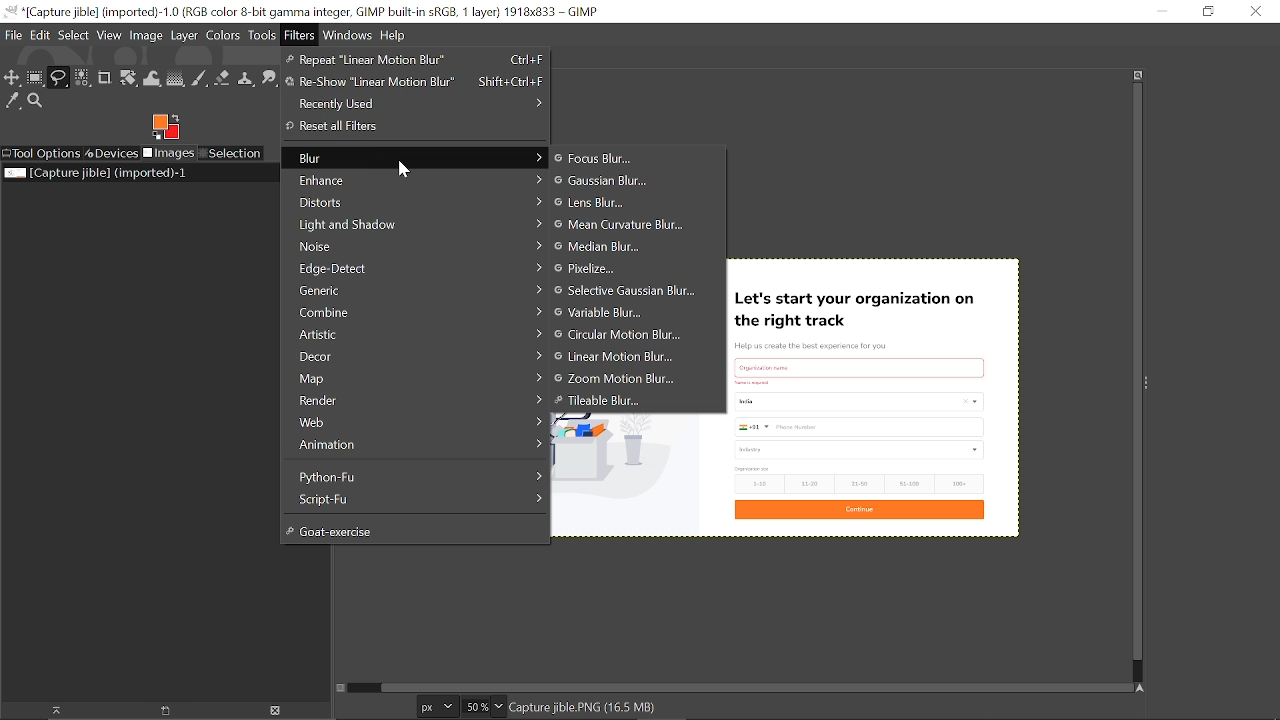 The height and width of the screenshot is (720, 1280). What do you see at coordinates (406, 170) in the screenshot?
I see `Cursor here` at bounding box center [406, 170].